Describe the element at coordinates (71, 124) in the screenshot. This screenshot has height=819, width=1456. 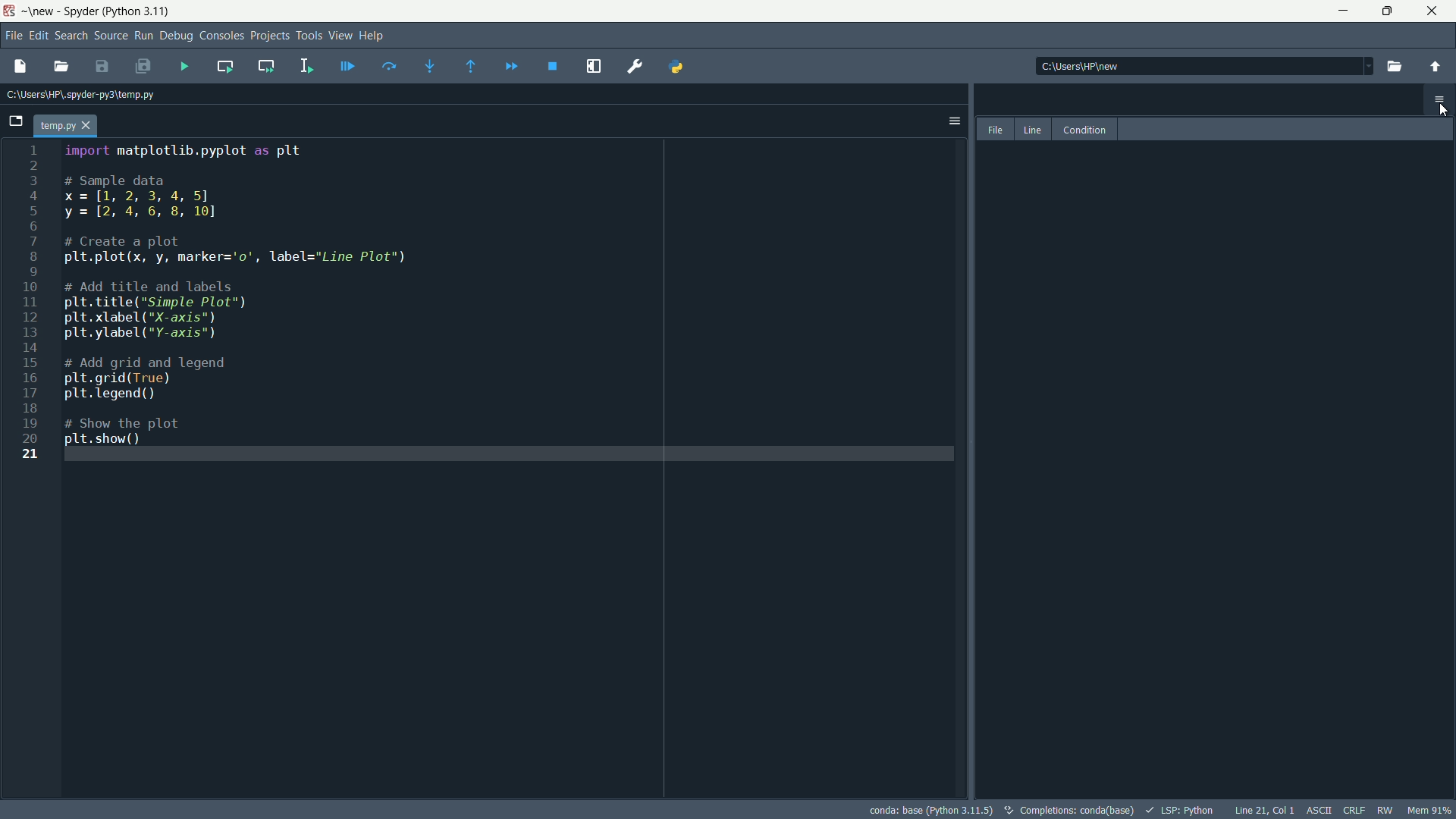
I see `temp.py` at that location.